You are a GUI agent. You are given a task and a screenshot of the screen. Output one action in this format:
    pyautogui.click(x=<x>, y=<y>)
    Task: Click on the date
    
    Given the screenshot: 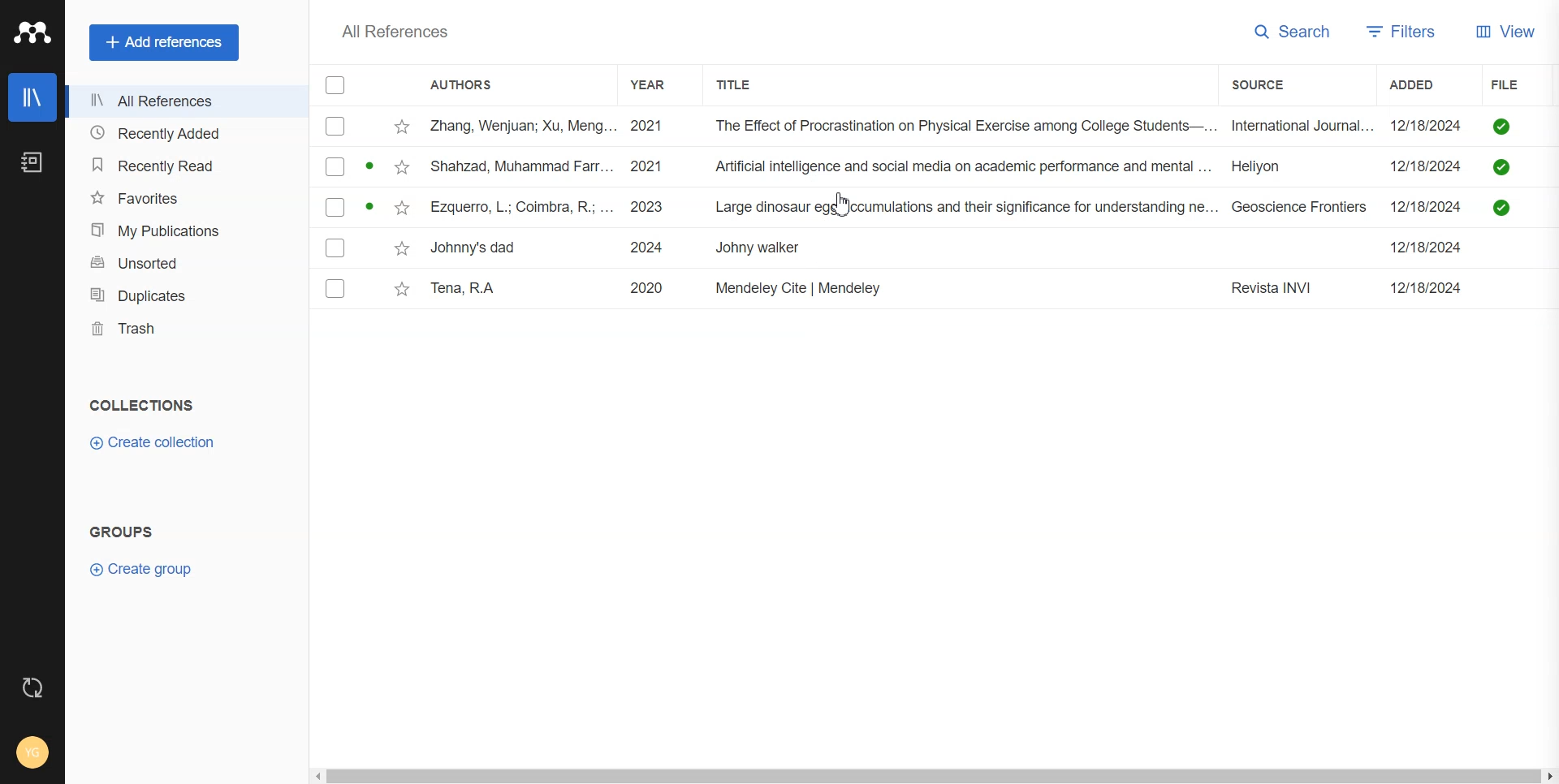 What is the action you would take?
    pyautogui.click(x=1425, y=288)
    